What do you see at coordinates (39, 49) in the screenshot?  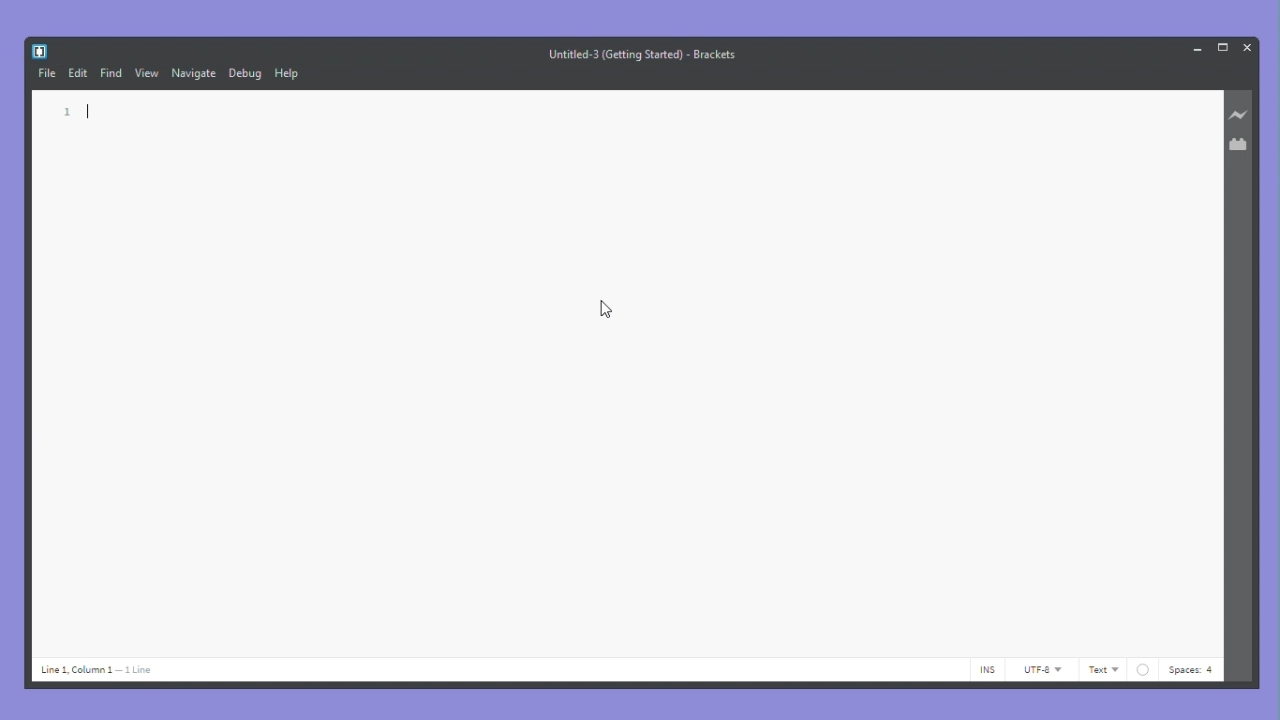 I see `Brackets logo` at bounding box center [39, 49].